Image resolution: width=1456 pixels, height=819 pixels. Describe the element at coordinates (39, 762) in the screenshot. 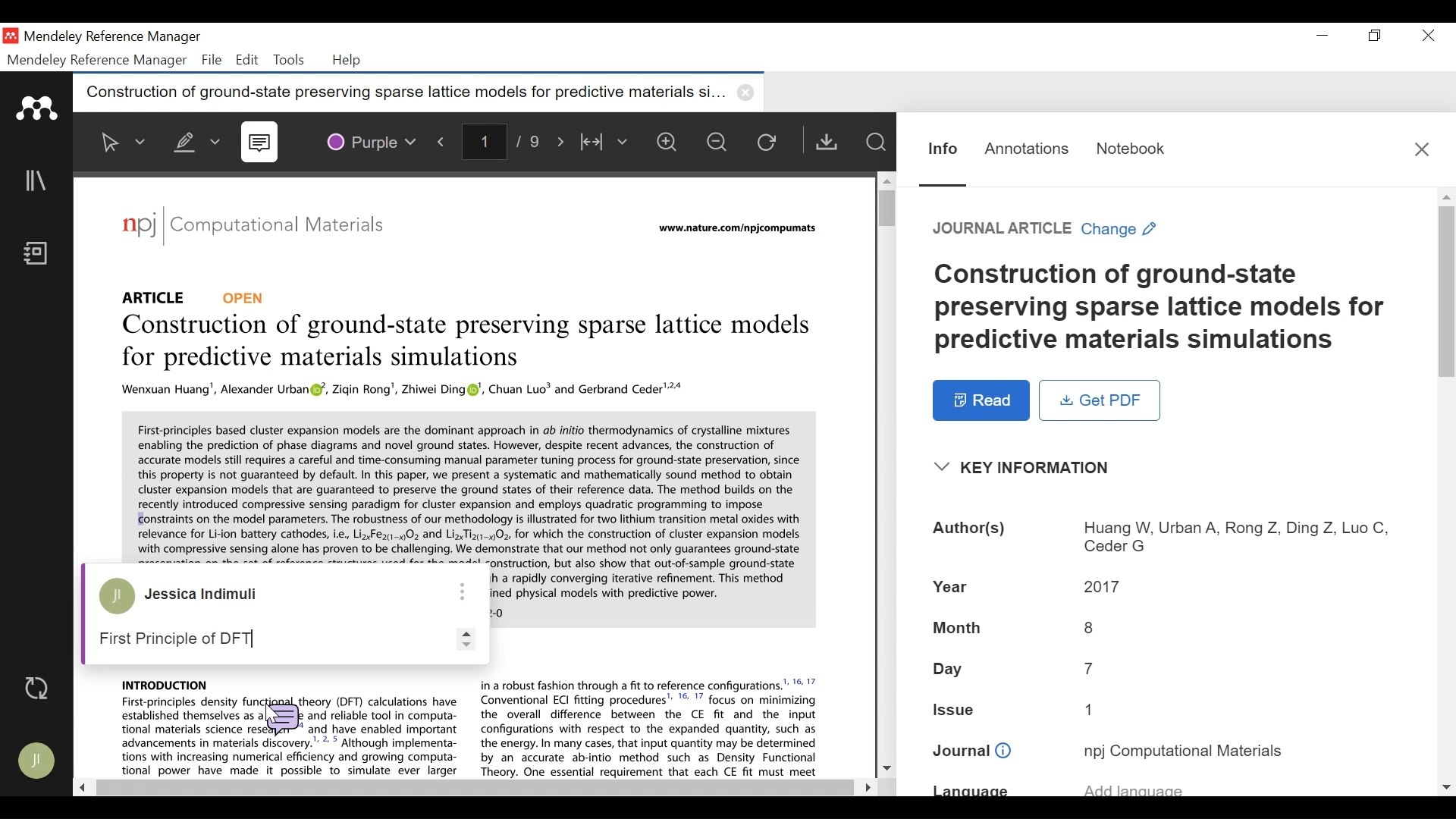

I see `Avatar` at that location.